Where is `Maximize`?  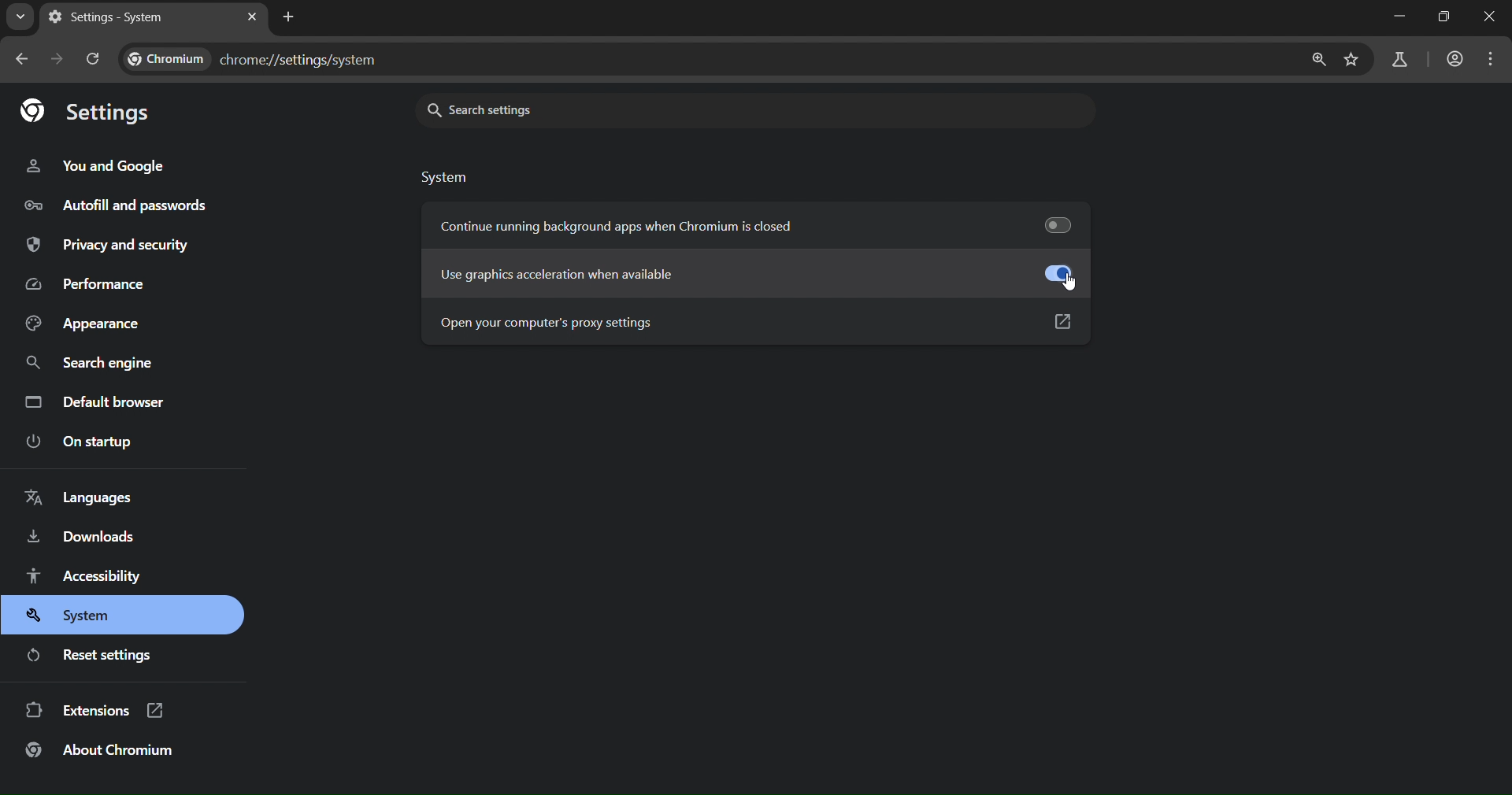 Maximize is located at coordinates (1445, 17).